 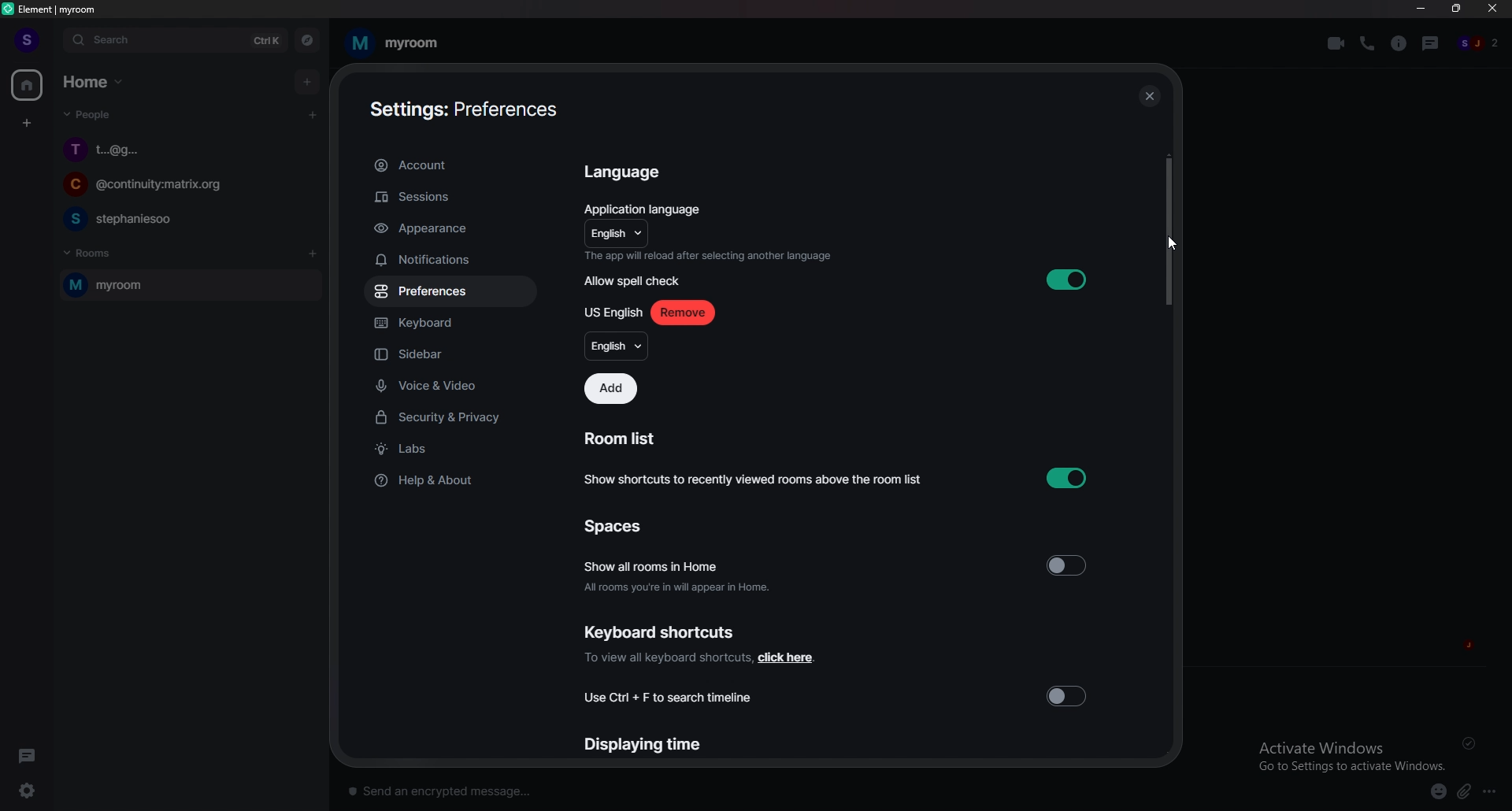 What do you see at coordinates (36, 791) in the screenshot?
I see `settings` at bounding box center [36, 791].